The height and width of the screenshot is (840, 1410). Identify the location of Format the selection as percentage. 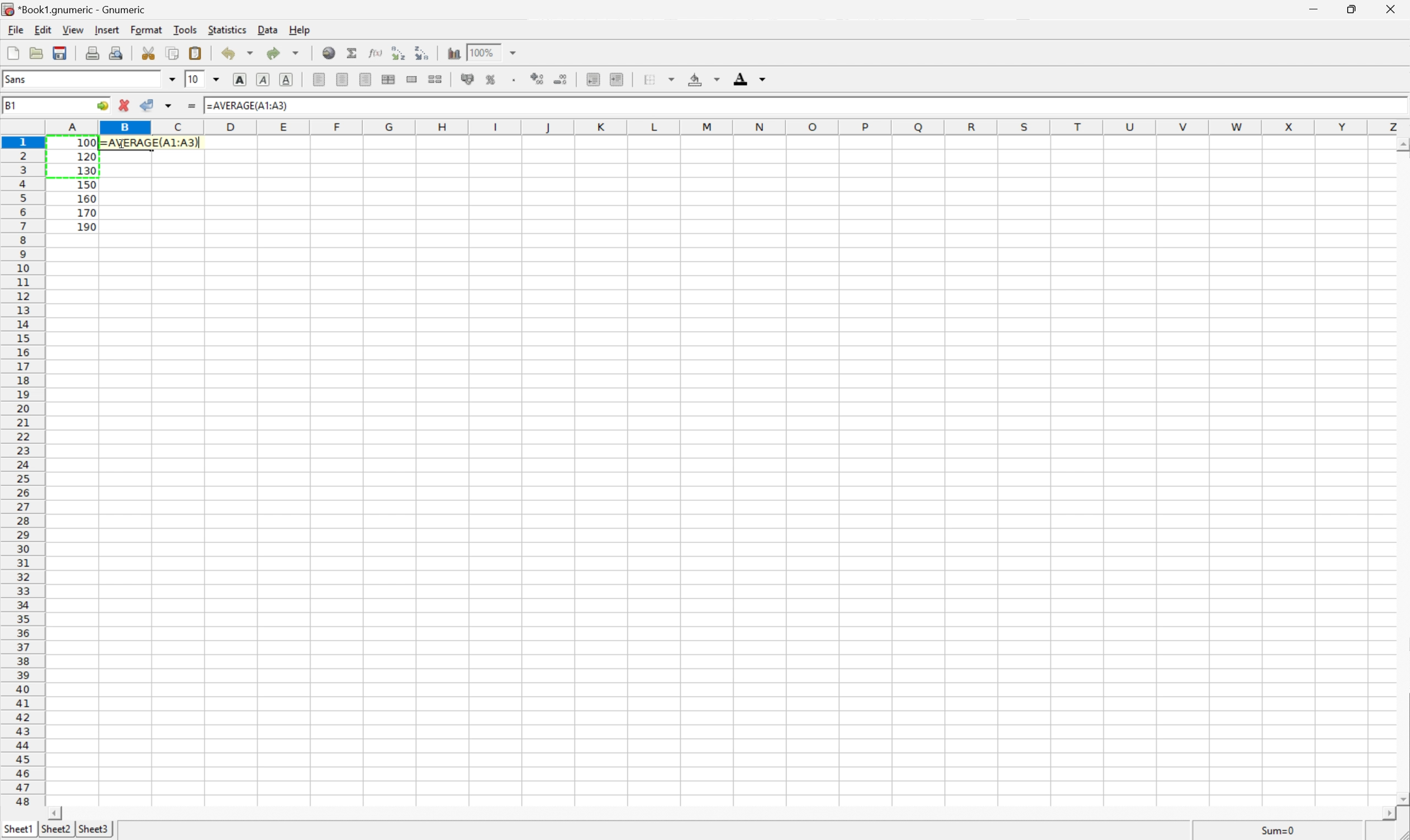
(493, 79).